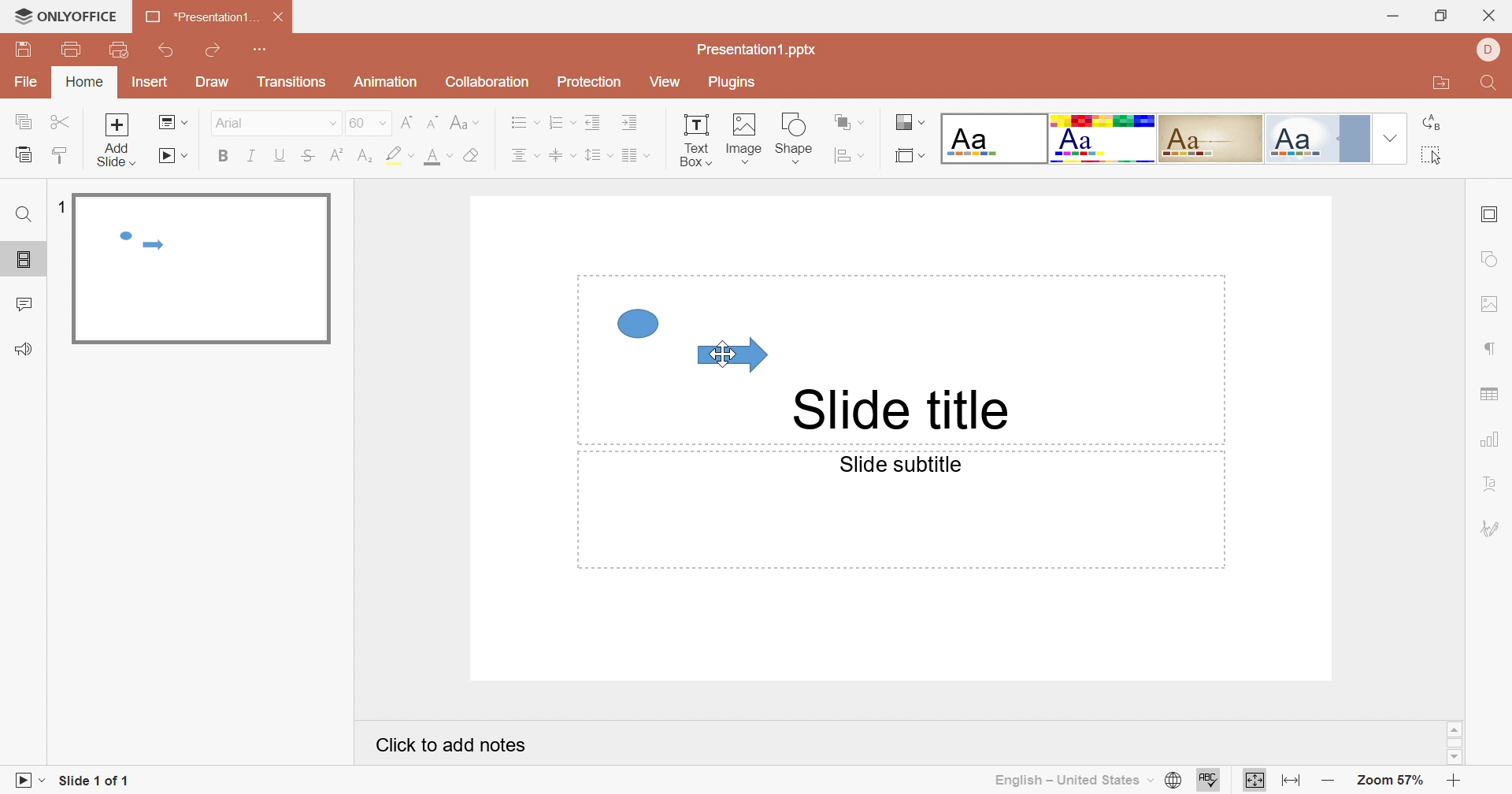 The width and height of the screenshot is (1512, 794). Describe the element at coordinates (746, 139) in the screenshot. I see `Image` at that location.